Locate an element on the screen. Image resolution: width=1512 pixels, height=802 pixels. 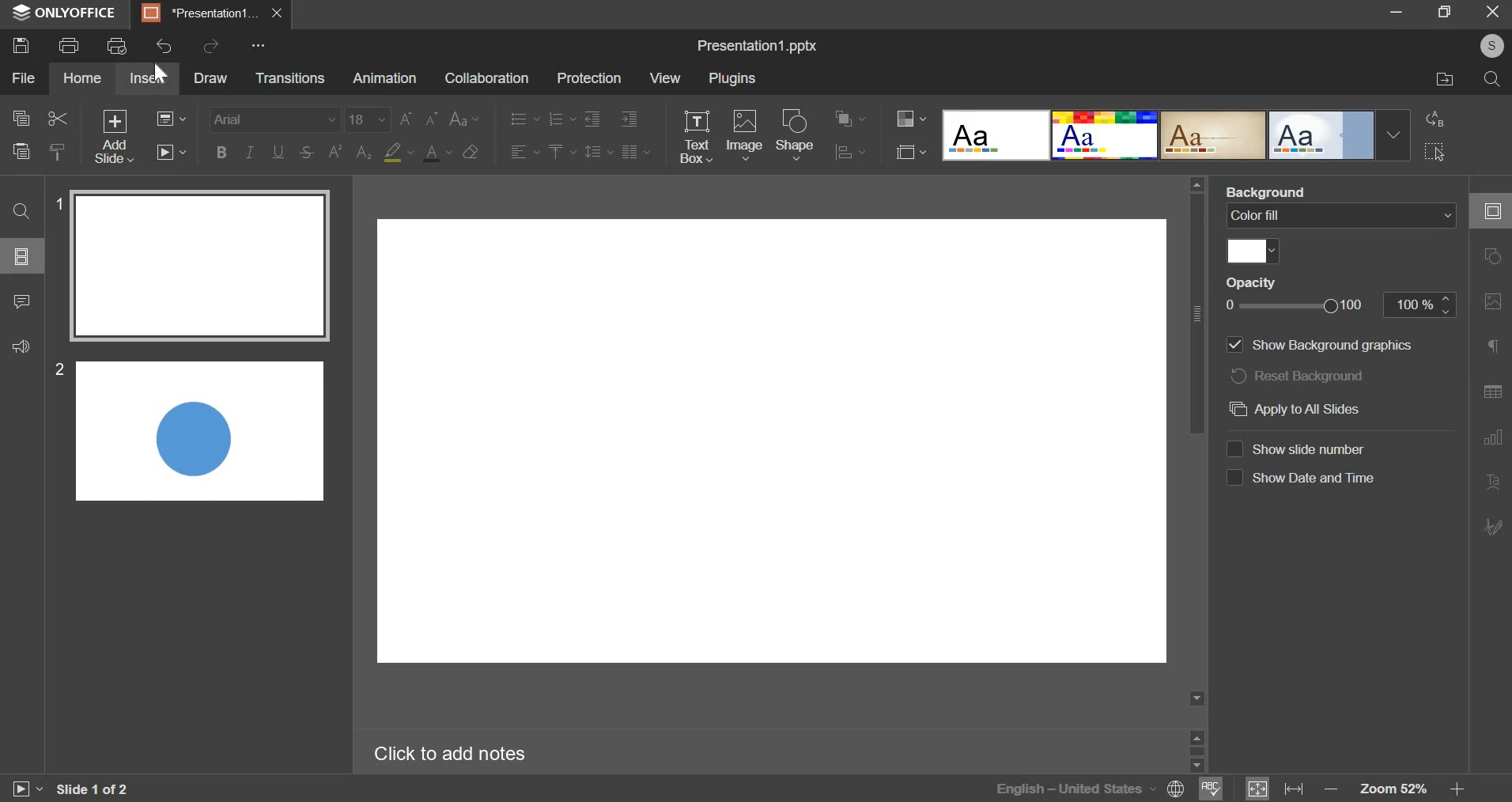
Dropdown is located at coordinates (1395, 134).